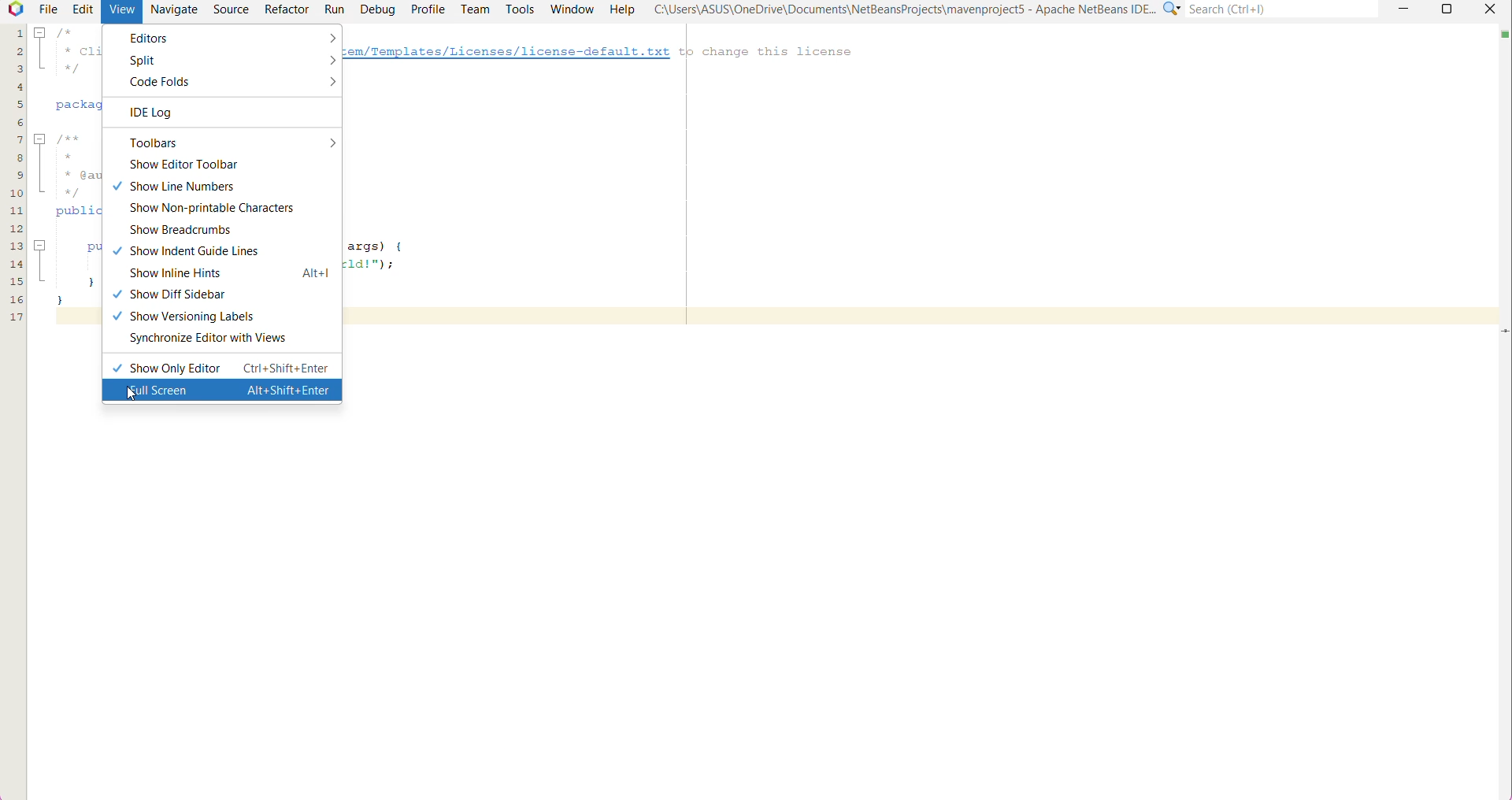 The image size is (1512, 800). What do you see at coordinates (133, 392) in the screenshot?
I see `cursor` at bounding box center [133, 392].